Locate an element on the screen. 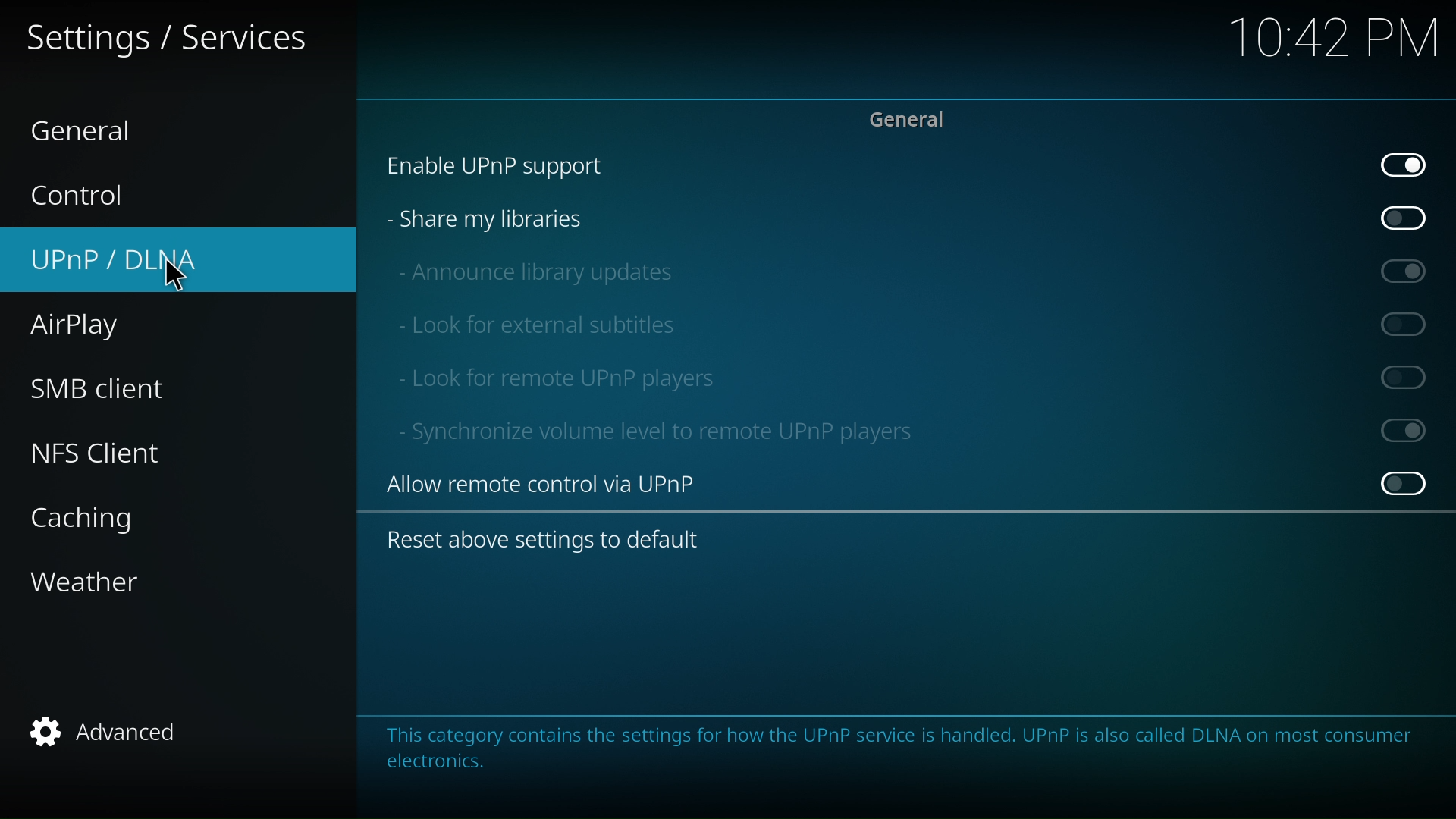 The image size is (1456, 819). smb client is located at coordinates (100, 386).